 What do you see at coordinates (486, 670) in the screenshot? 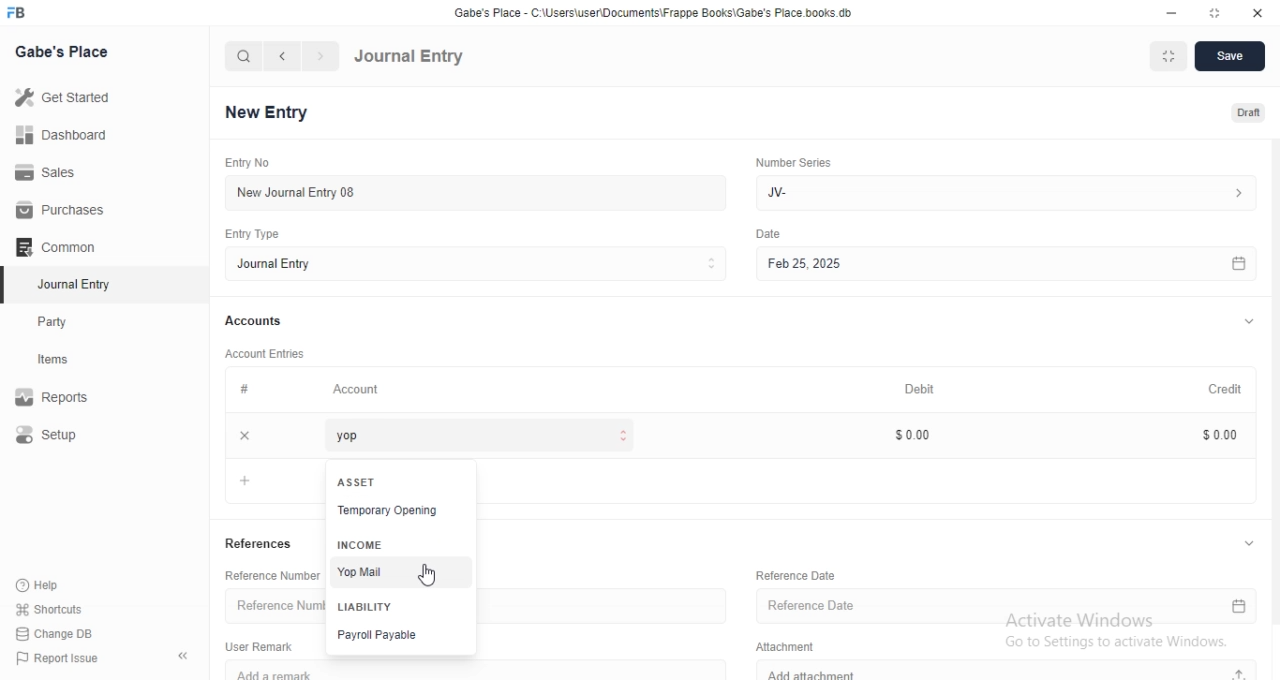
I see `Add a remark` at bounding box center [486, 670].